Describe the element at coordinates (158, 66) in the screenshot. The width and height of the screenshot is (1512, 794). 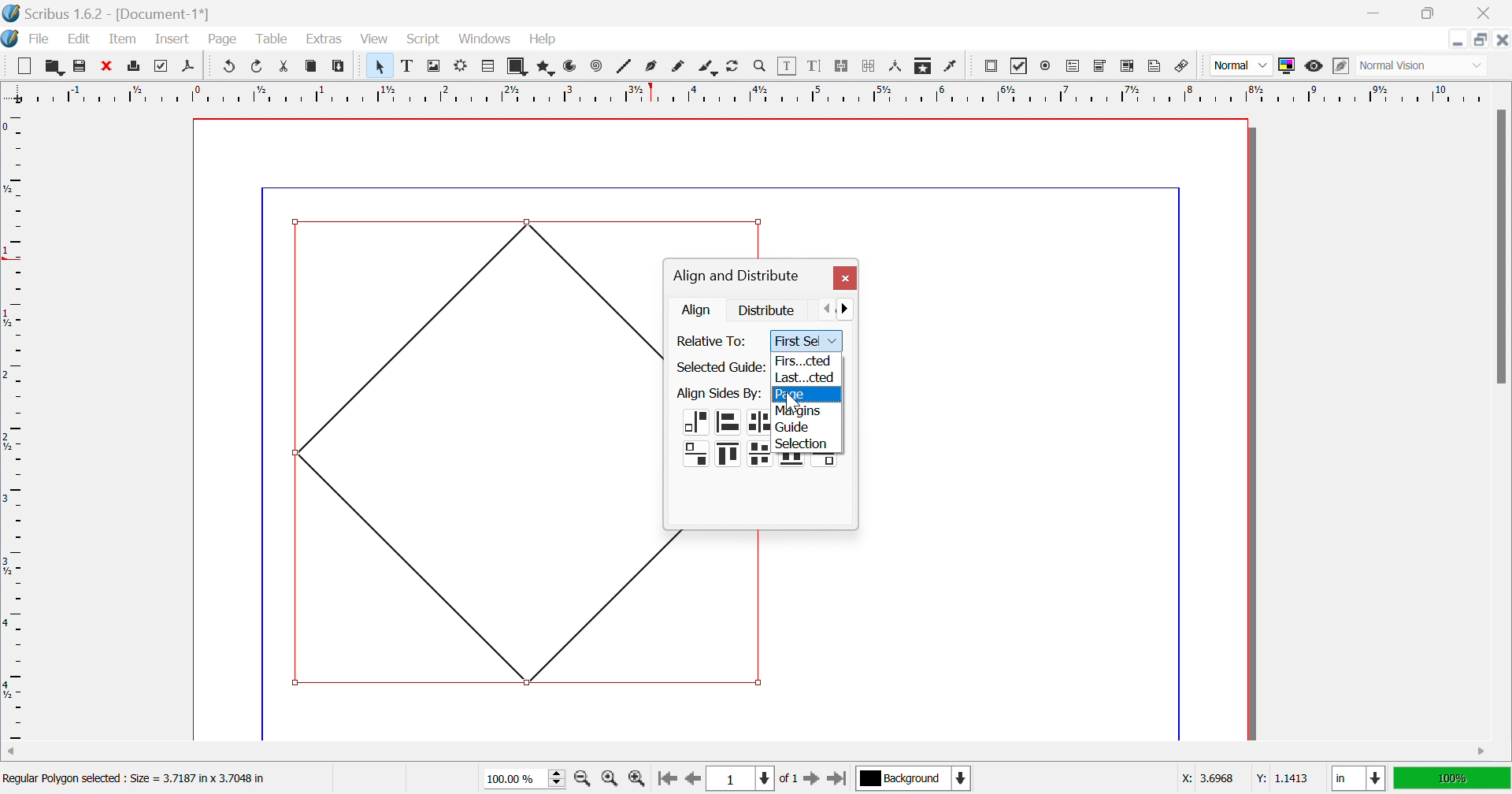
I see `Print` at that location.